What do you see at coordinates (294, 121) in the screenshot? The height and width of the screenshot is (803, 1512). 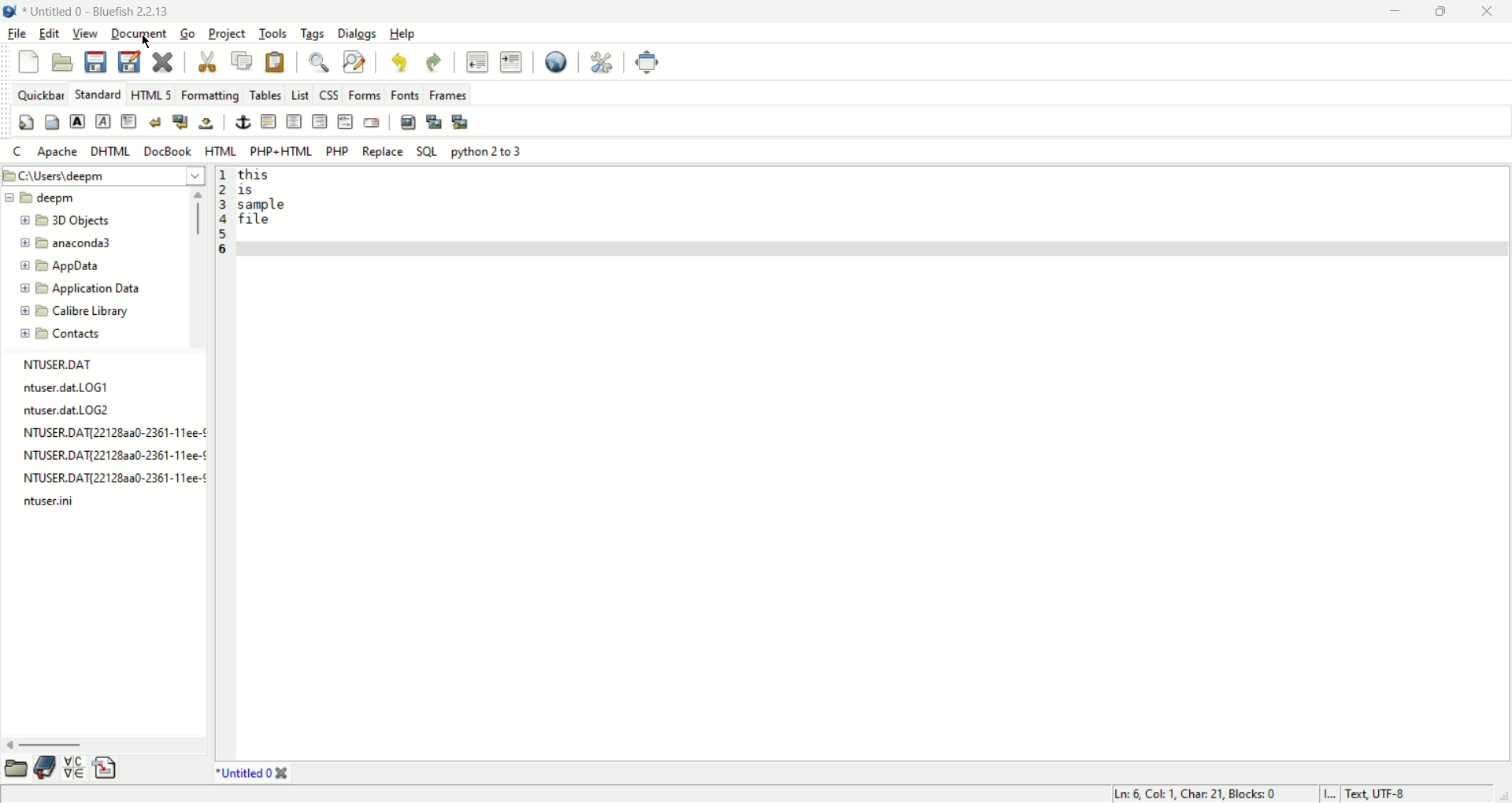 I see `center` at bounding box center [294, 121].